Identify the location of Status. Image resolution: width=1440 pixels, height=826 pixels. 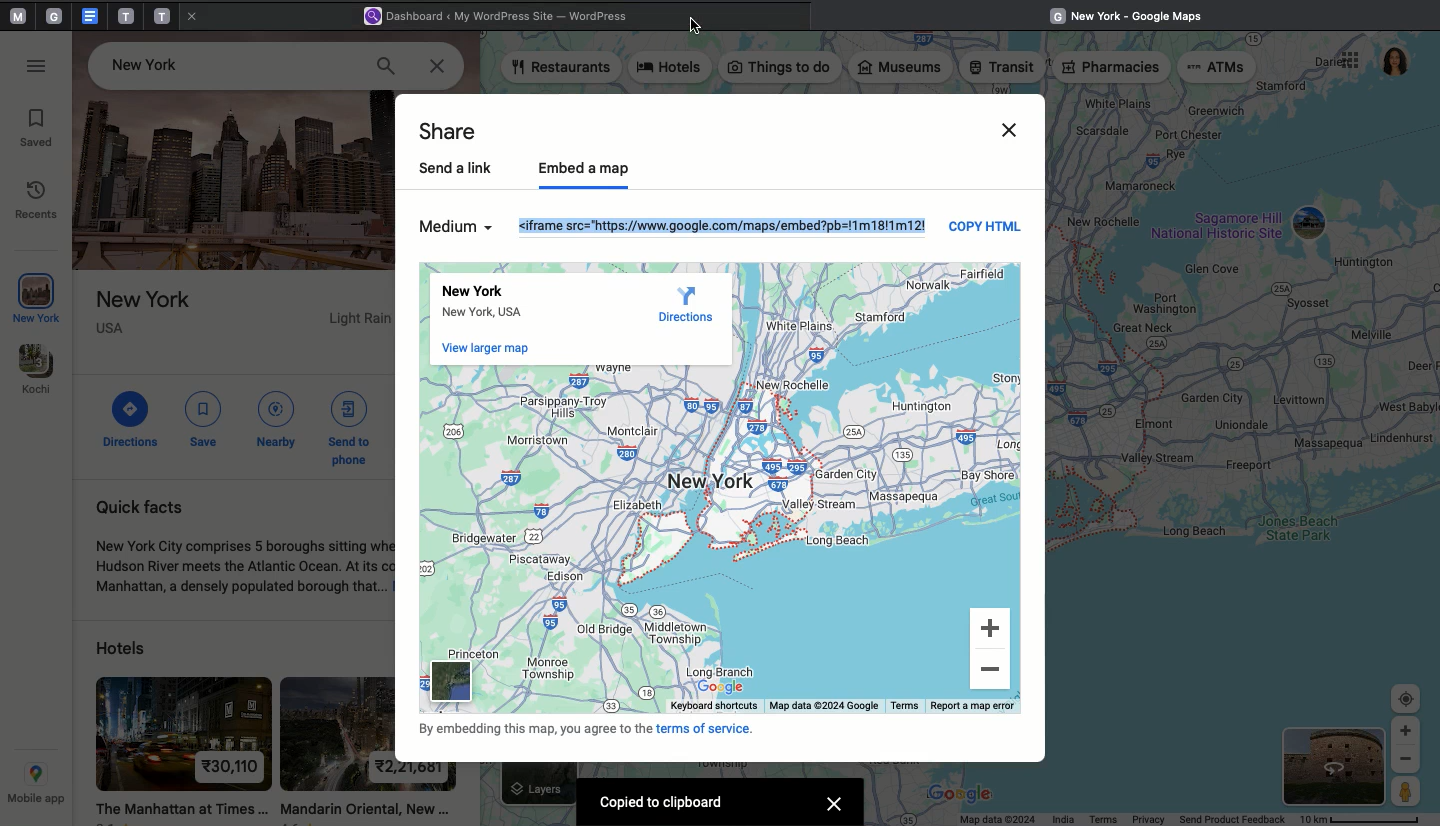
(1197, 817).